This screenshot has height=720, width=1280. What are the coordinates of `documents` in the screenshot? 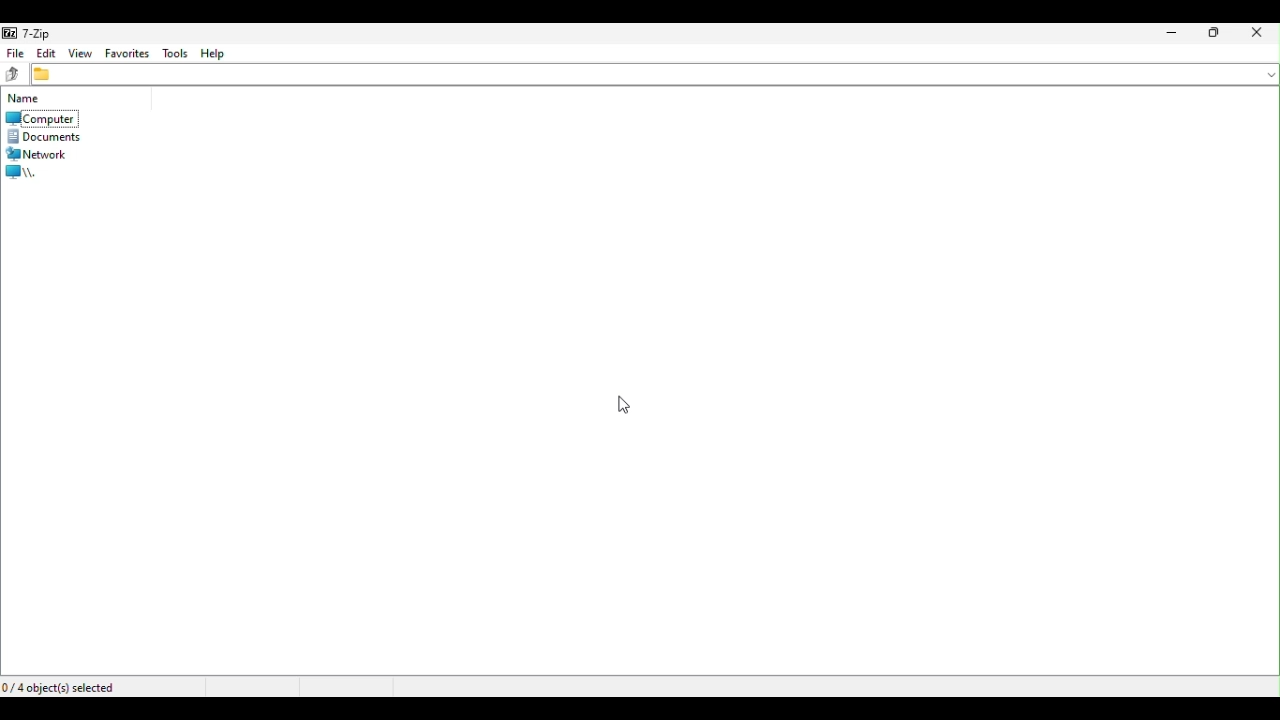 It's located at (46, 135).